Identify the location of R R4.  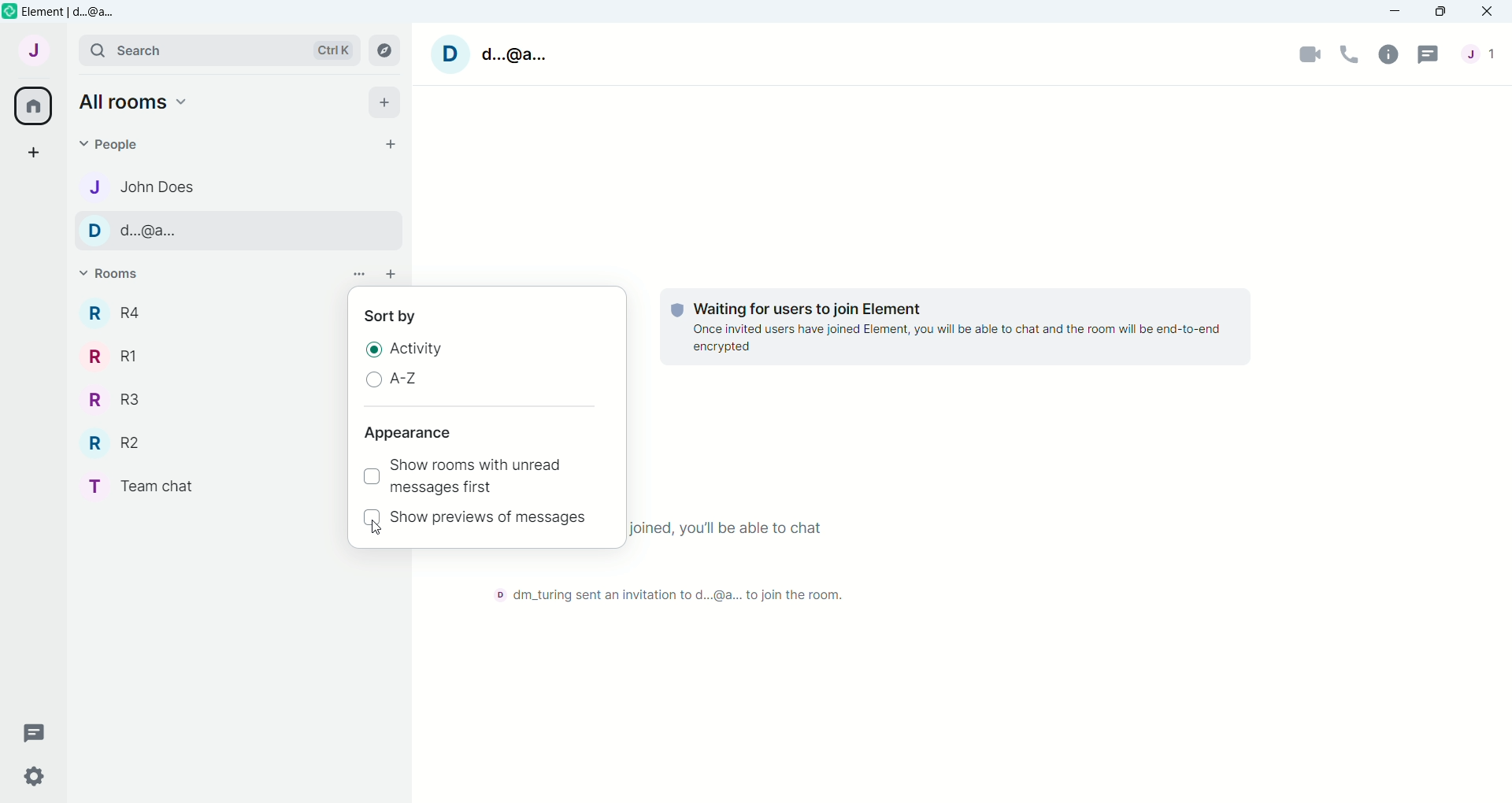
(139, 312).